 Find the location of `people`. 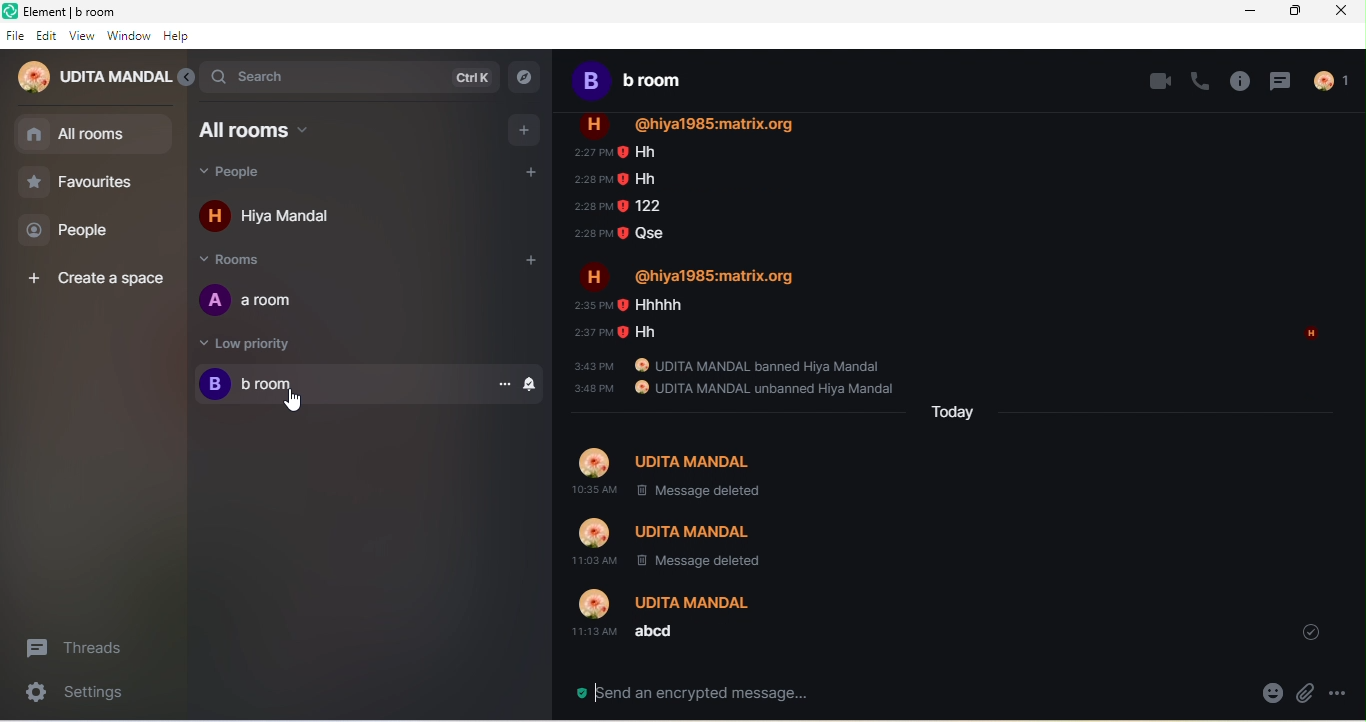

people is located at coordinates (1331, 80).